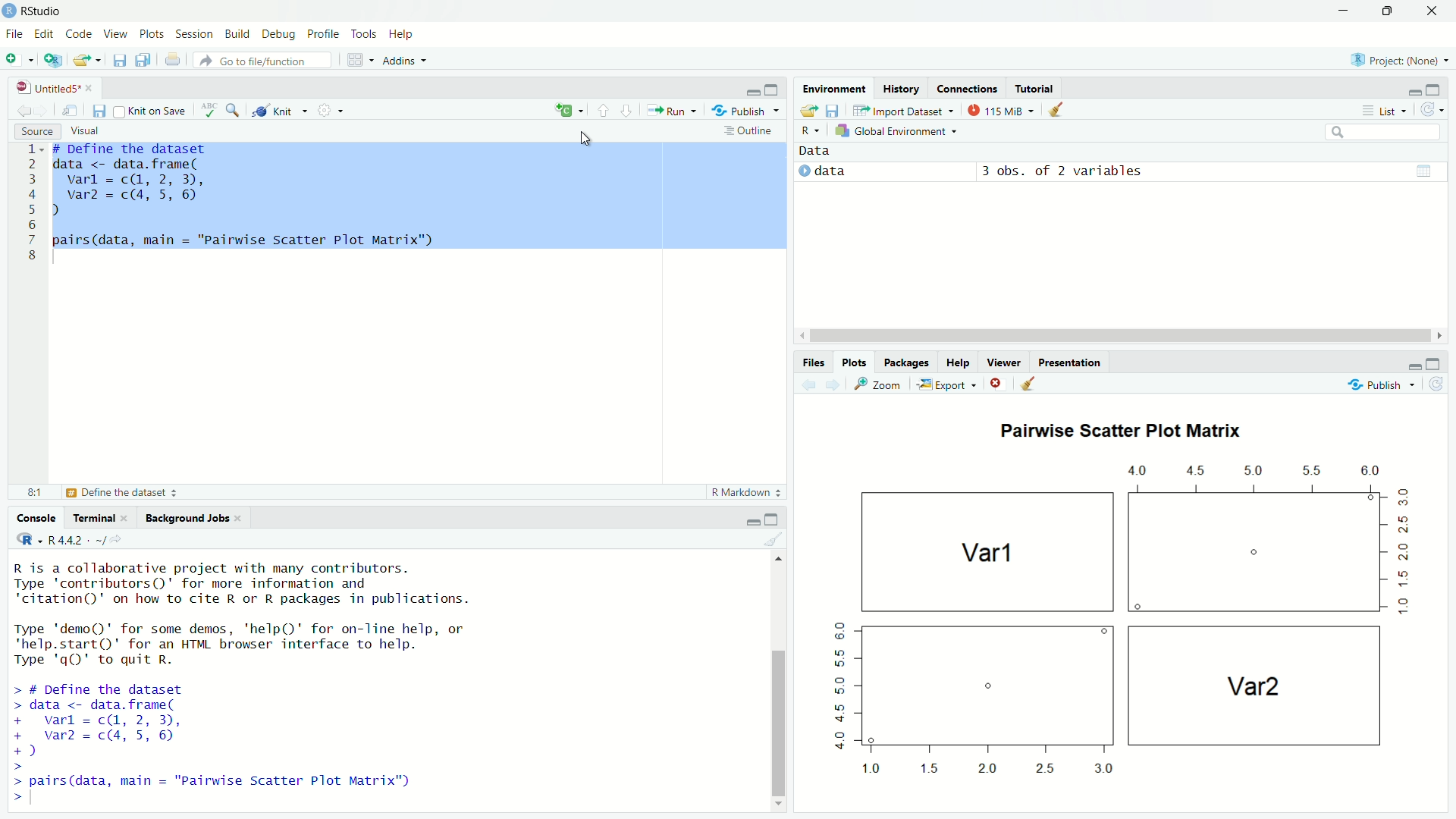 This screenshot has width=1456, height=819. Describe the element at coordinates (1112, 624) in the screenshot. I see `Plot` at that location.